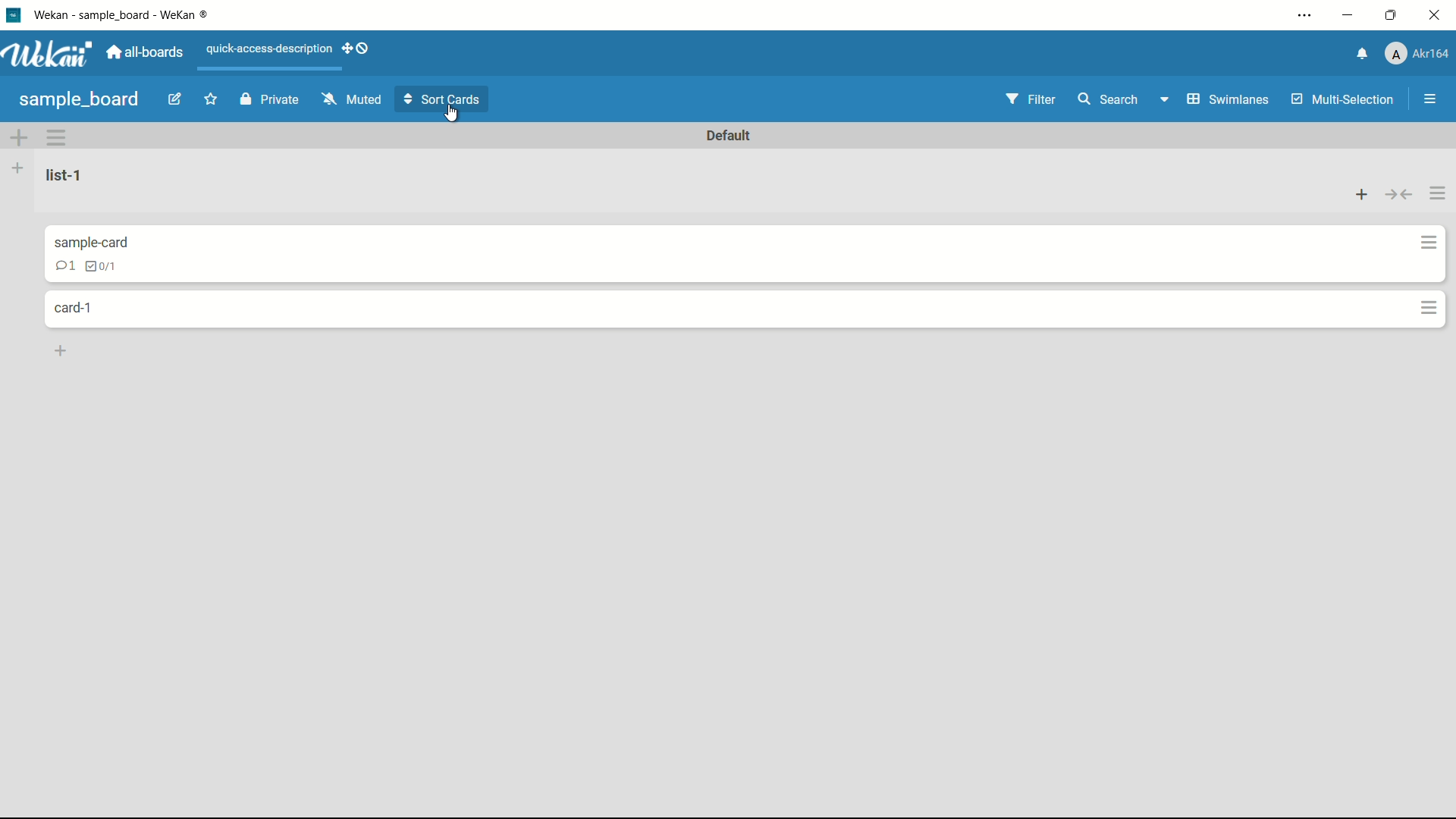 The height and width of the screenshot is (819, 1456). Describe the element at coordinates (56, 136) in the screenshot. I see `card actions` at that location.